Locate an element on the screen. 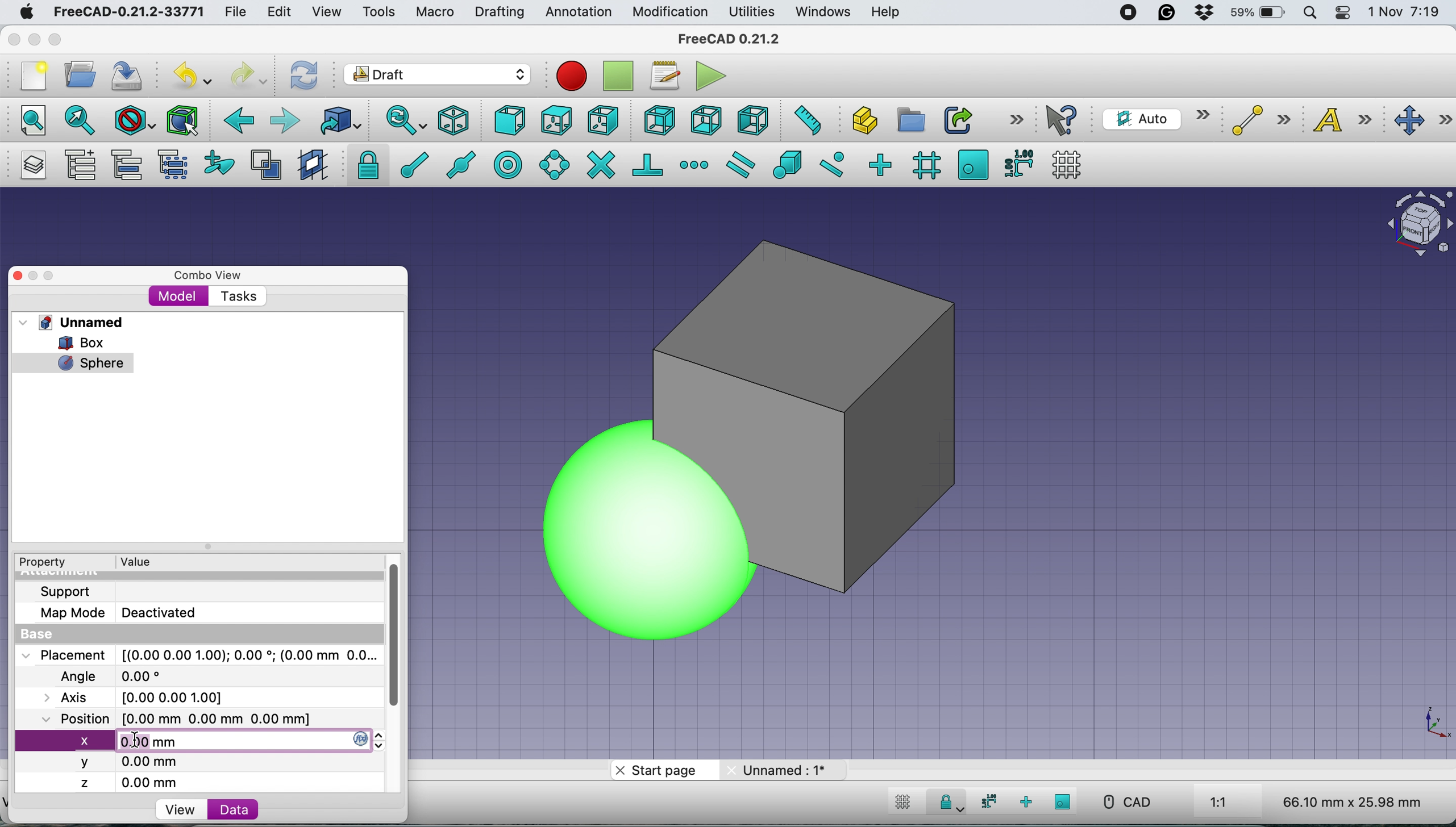 Image resolution: width=1456 pixels, height=827 pixels. box is located at coordinates (89, 343).